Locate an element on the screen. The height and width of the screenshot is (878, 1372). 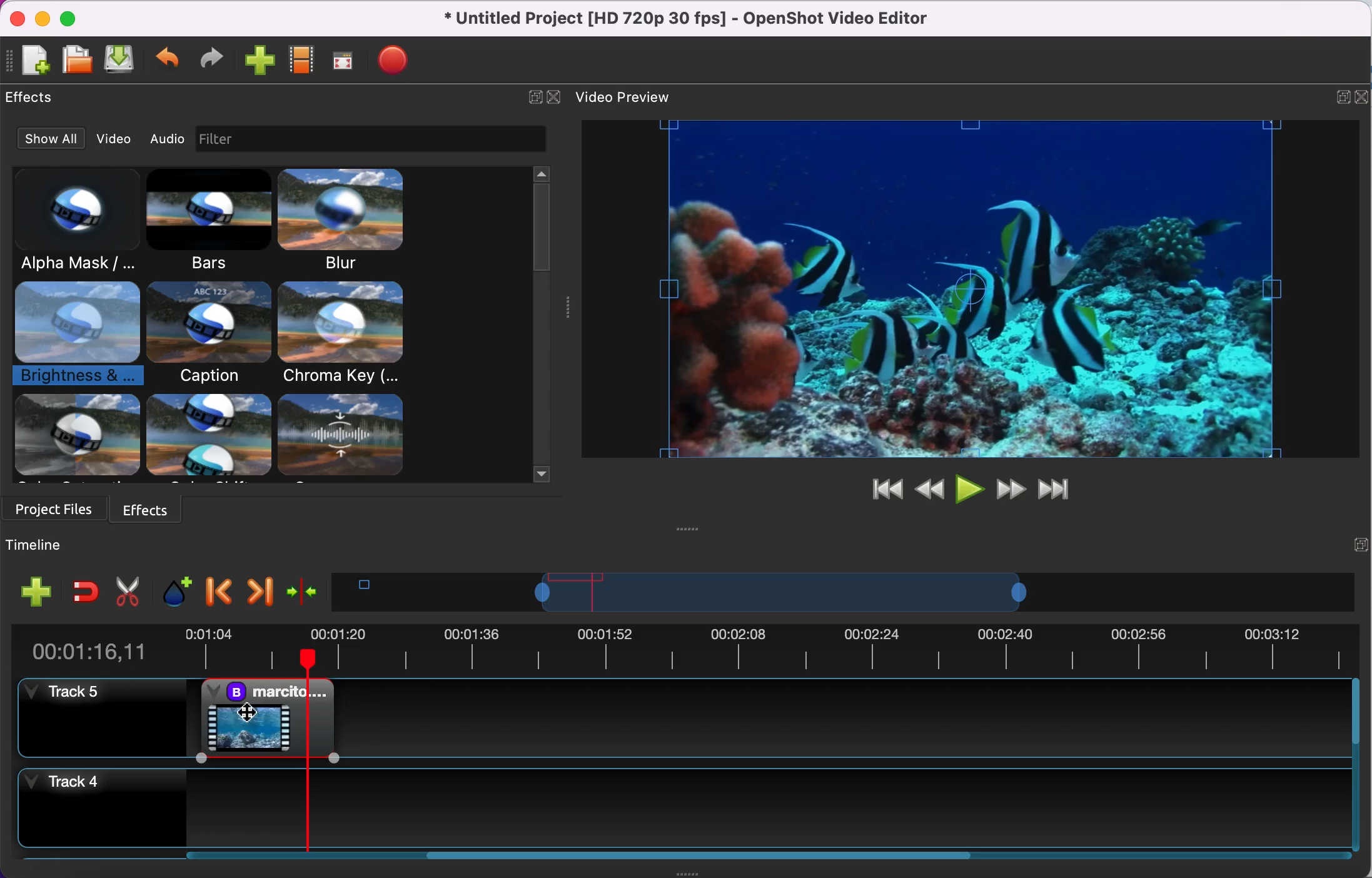
play is located at coordinates (969, 489).